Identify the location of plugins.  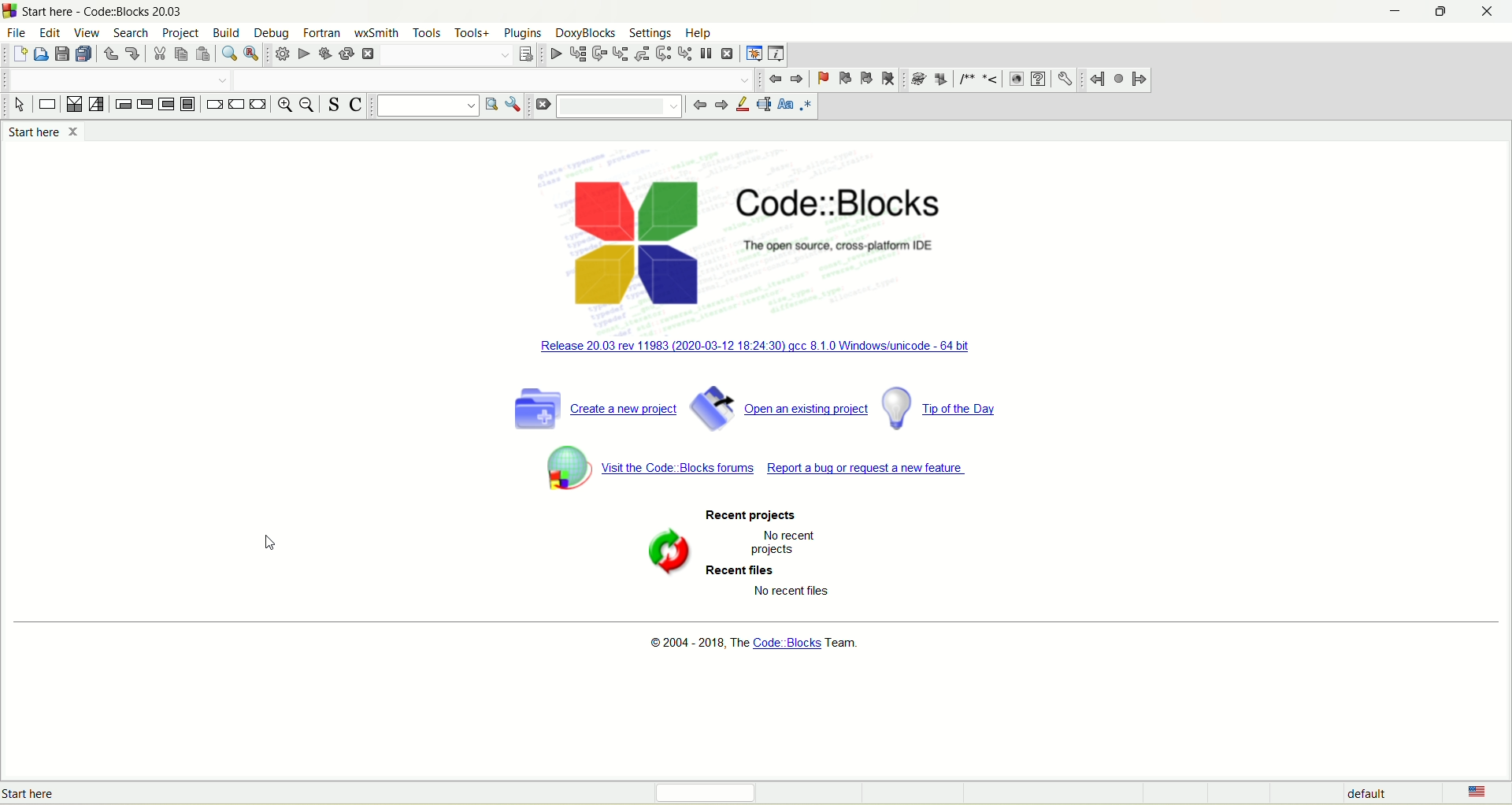
(523, 33).